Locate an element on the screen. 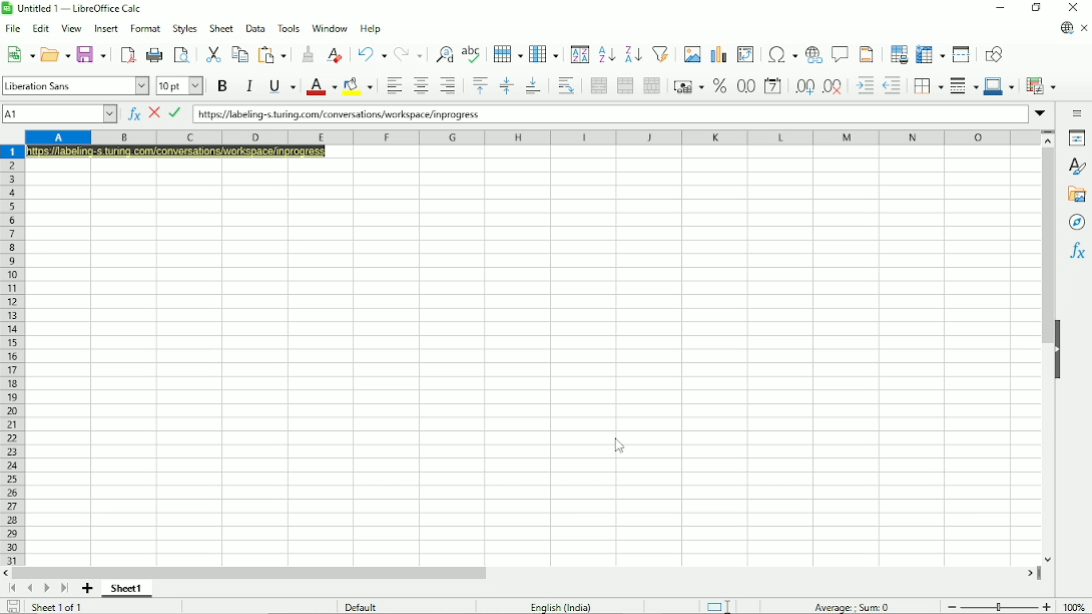 This screenshot has height=614, width=1092. Rows is located at coordinates (507, 54).